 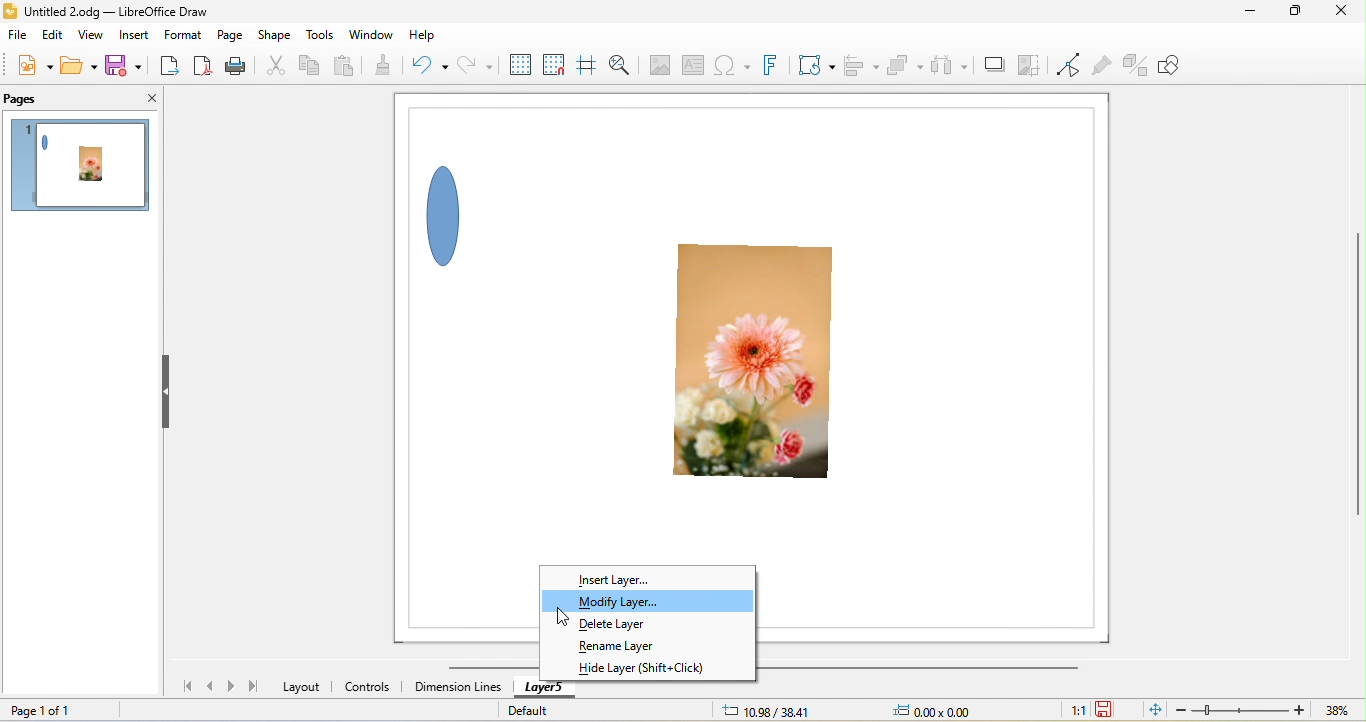 I want to click on image, so click(x=657, y=65).